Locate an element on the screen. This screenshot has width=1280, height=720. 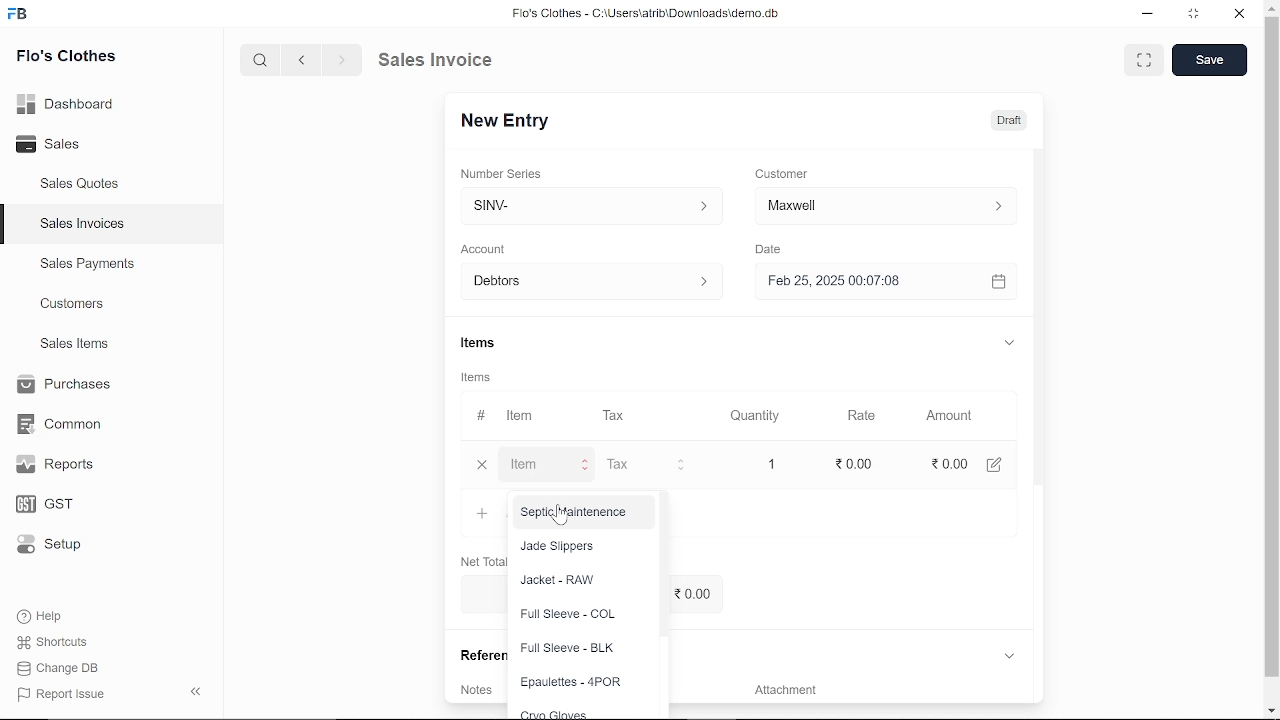
Purchases is located at coordinates (67, 386).